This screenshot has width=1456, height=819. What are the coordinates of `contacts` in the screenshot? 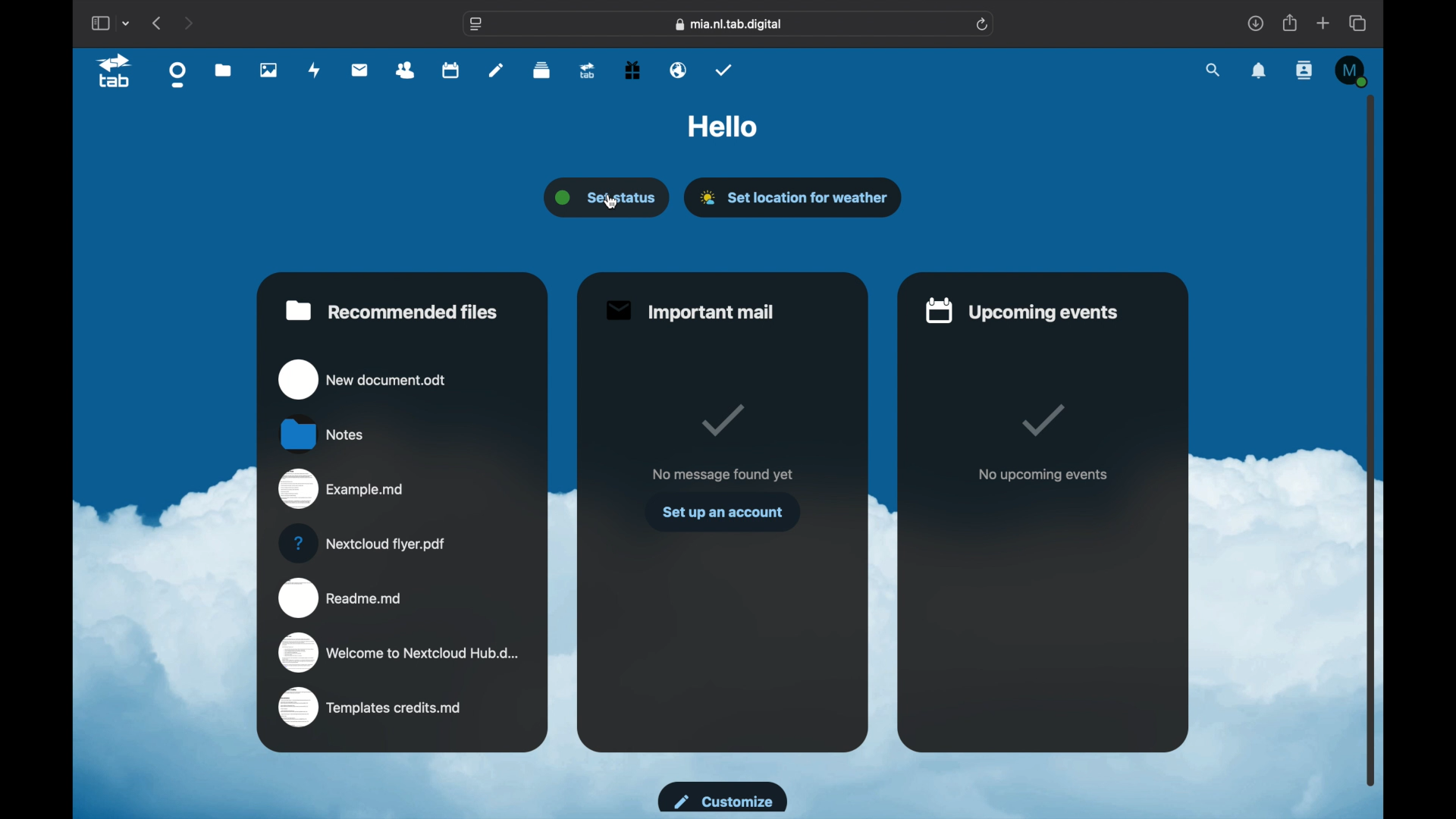 It's located at (405, 71).